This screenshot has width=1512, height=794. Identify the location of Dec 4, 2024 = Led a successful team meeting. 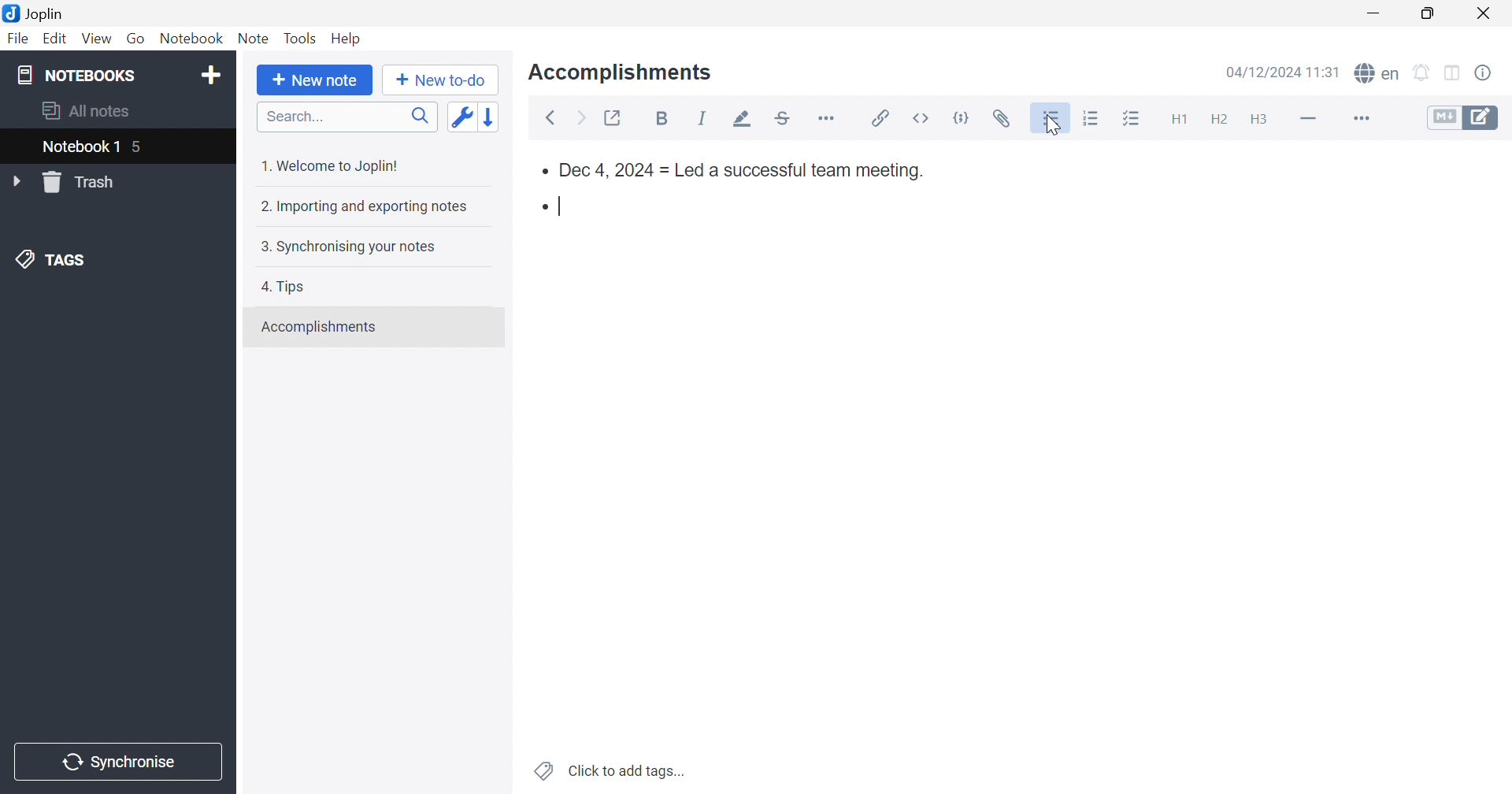
(738, 172).